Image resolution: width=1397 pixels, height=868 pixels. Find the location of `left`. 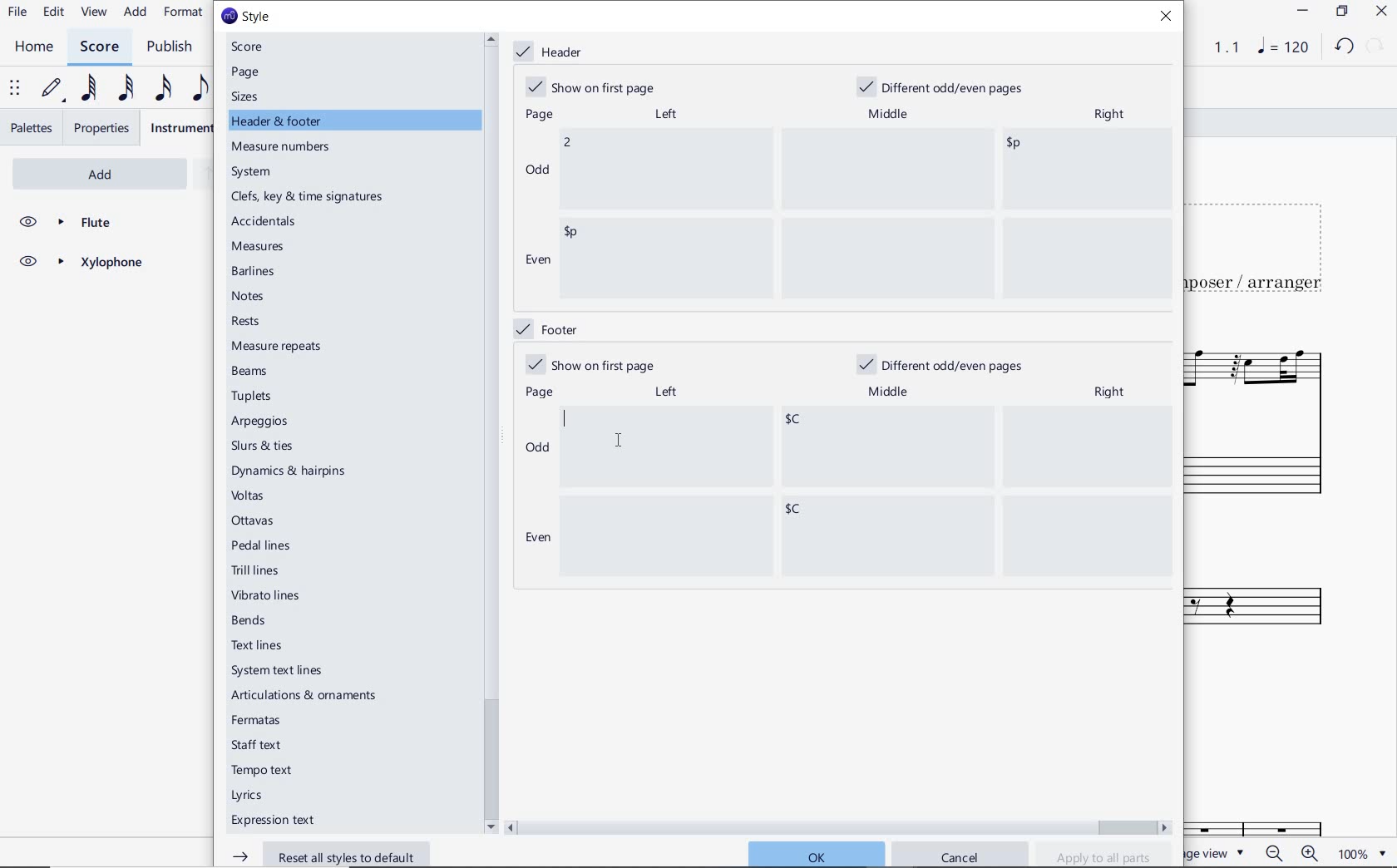

left is located at coordinates (664, 114).